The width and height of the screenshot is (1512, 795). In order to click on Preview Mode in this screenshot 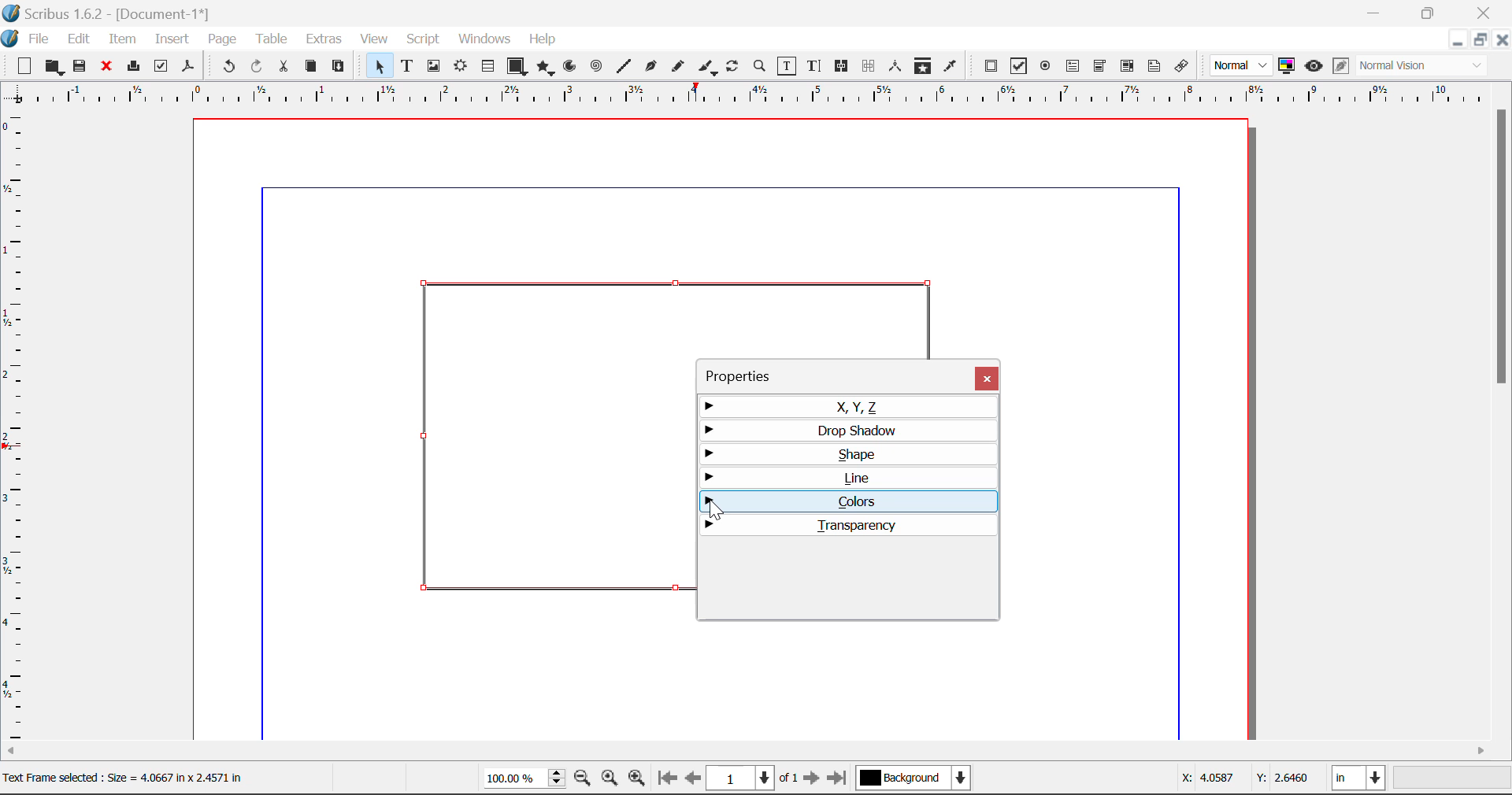, I will do `click(1242, 66)`.